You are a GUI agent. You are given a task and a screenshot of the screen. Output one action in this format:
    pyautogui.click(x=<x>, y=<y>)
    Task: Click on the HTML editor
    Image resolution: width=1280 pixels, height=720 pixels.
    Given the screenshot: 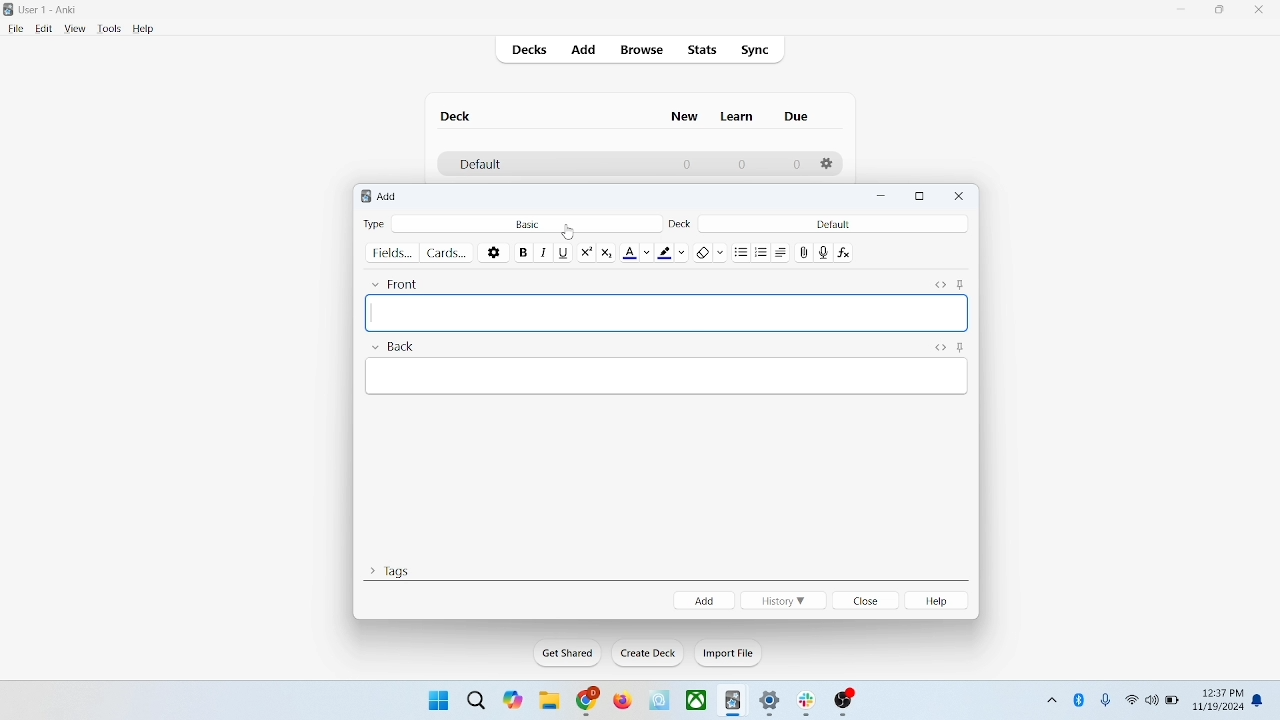 What is the action you would take?
    pyautogui.click(x=939, y=348)
    